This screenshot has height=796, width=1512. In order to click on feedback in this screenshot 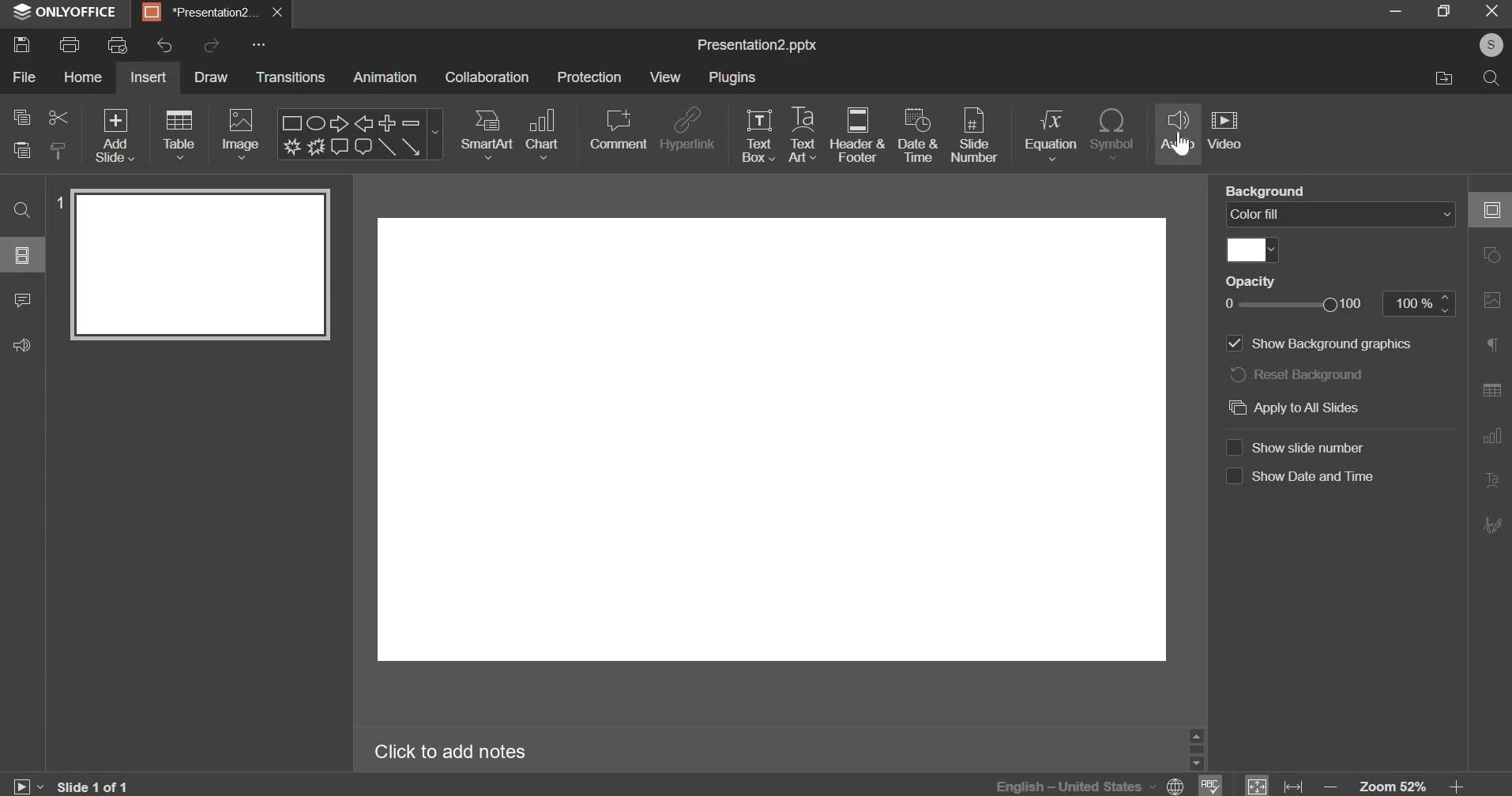, I will do `click(28, 346)`.